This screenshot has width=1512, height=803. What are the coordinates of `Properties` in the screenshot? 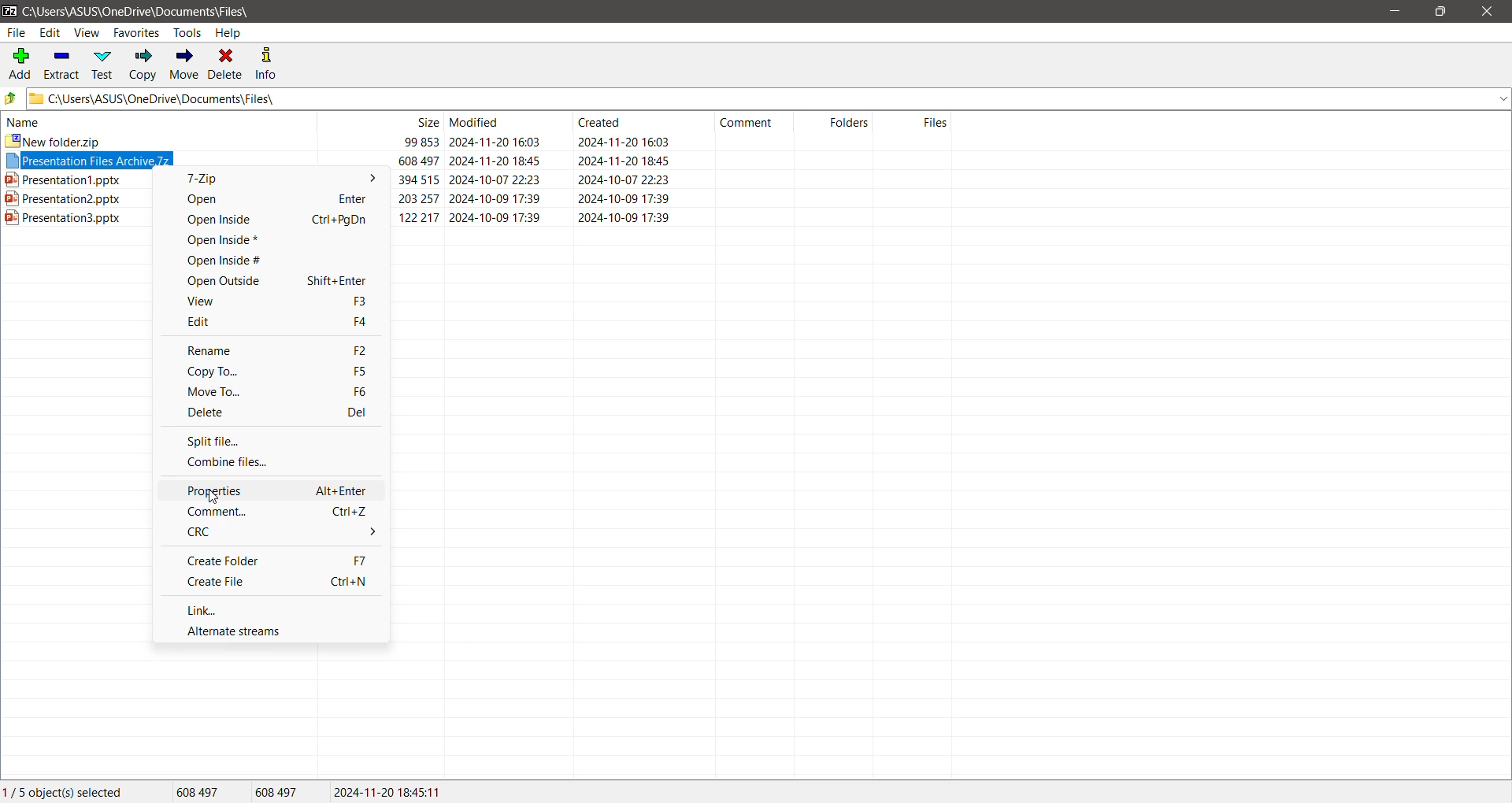 It's located at (224, 490).